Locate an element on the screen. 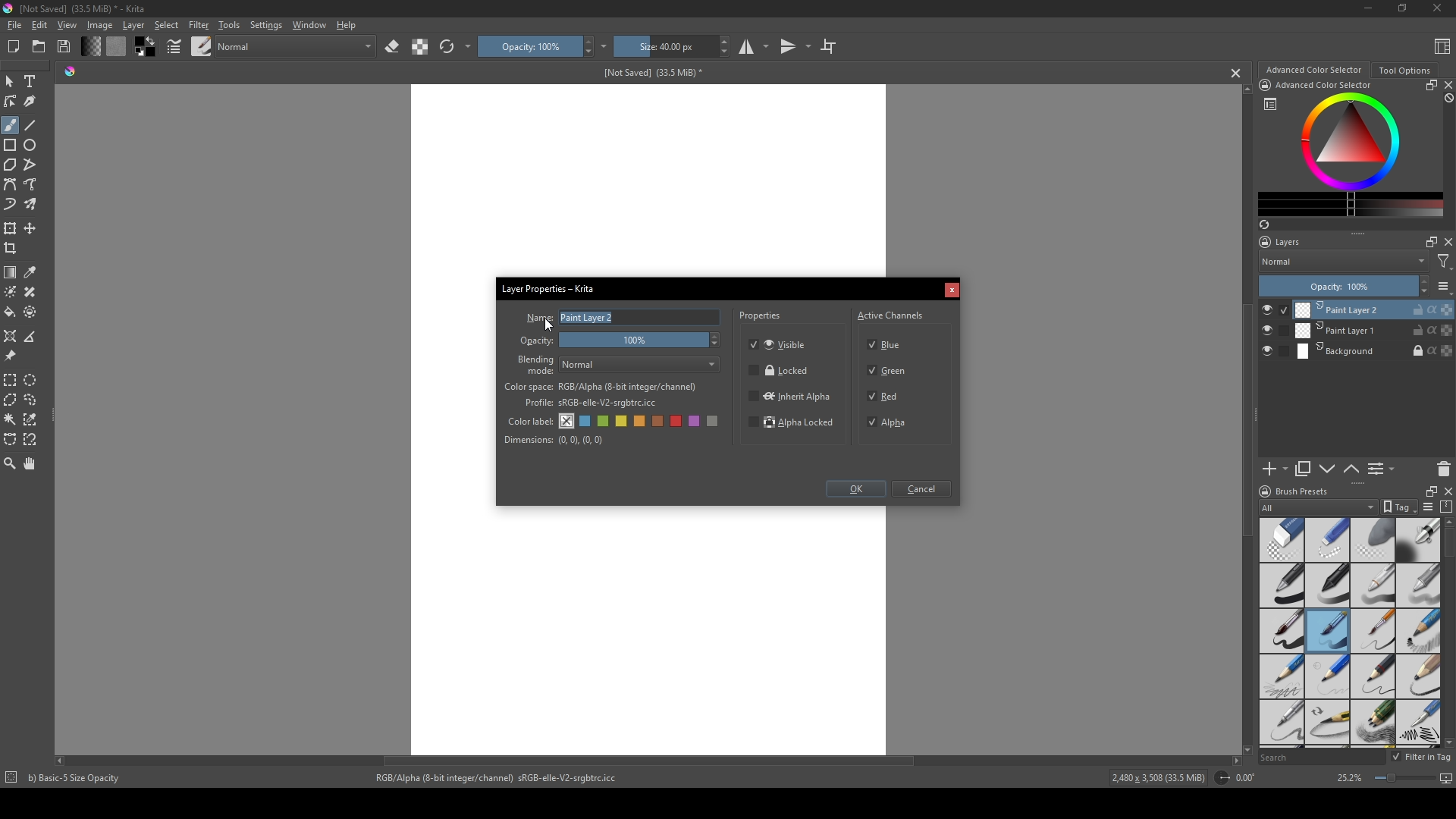 The image size is (1456, 819). brown is located at coordinates (660, 421).